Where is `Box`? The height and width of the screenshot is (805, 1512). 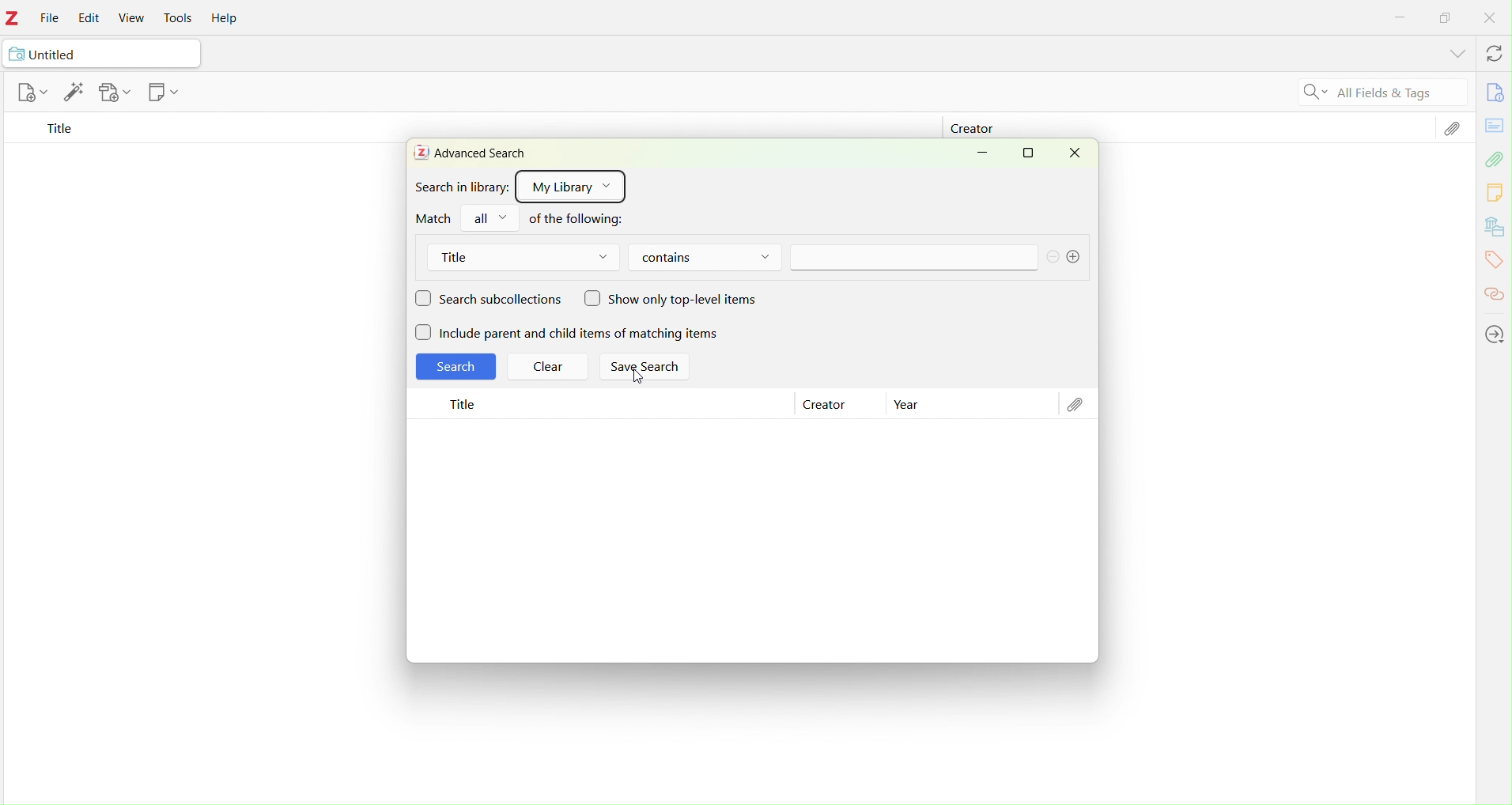
Box is located at coordinates (1446, 17).